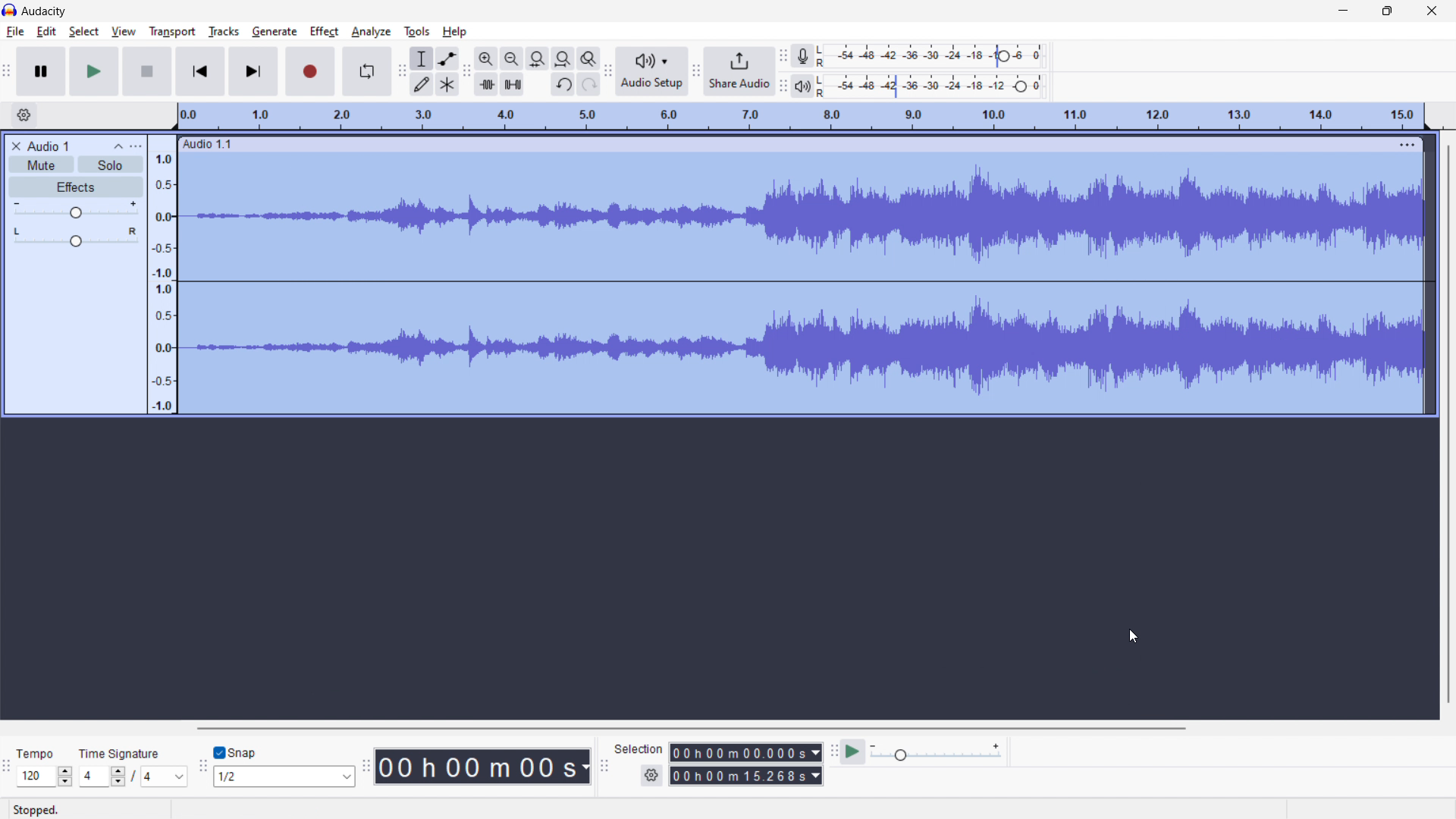  Describe the element at coordinates (803, 117) in the screenshot. I see `timeline` at that location.